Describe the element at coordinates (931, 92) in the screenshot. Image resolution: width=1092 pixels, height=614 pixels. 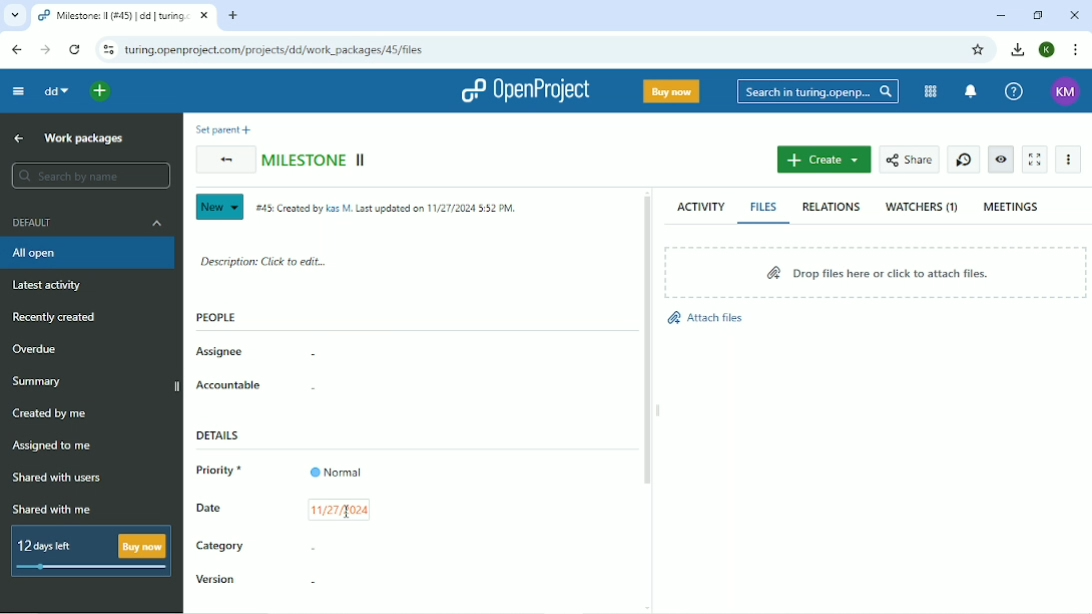
I see `Modules` at that location.